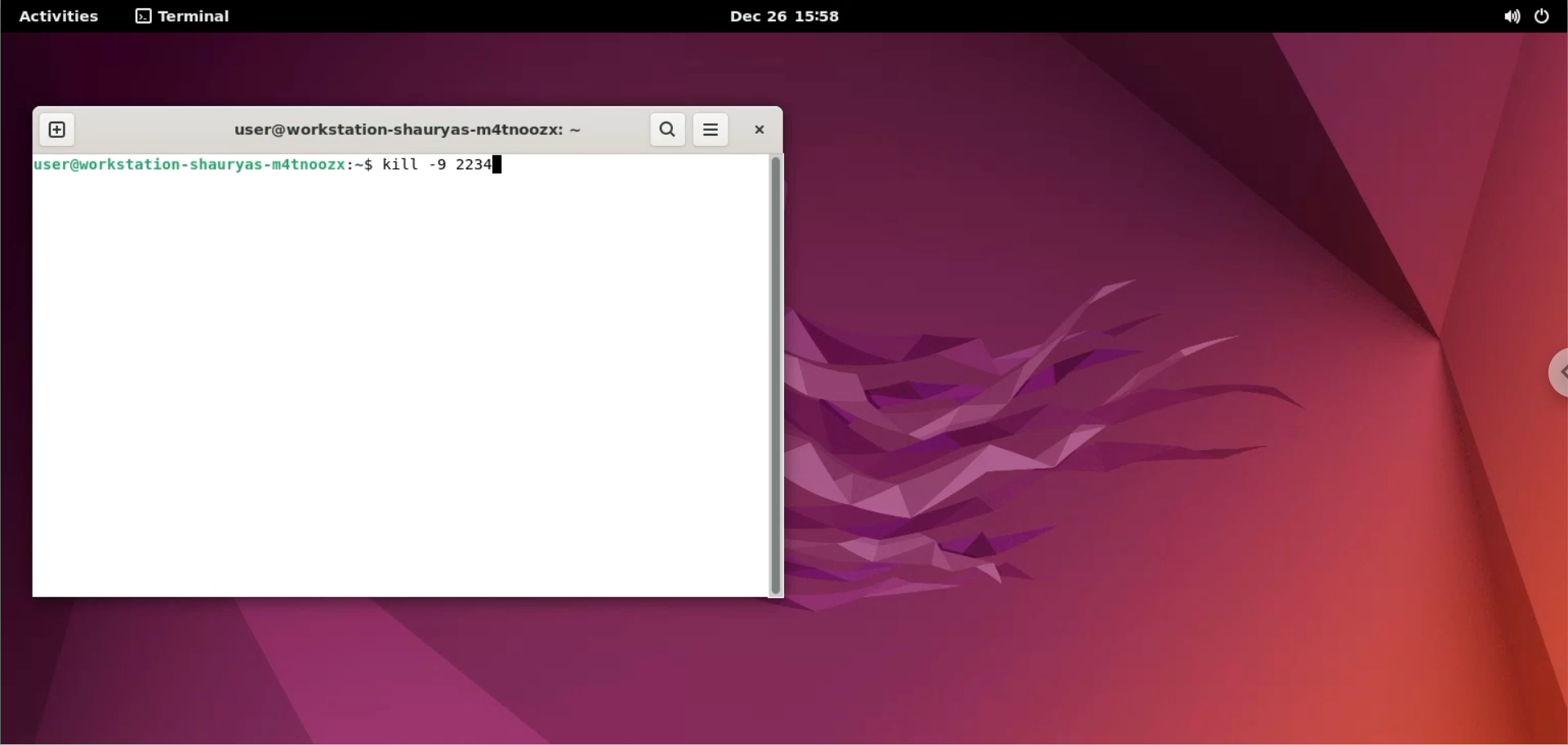 The width and height of the screenshot is (1568, 745). I want to click on sound options, so click(1511, 17).